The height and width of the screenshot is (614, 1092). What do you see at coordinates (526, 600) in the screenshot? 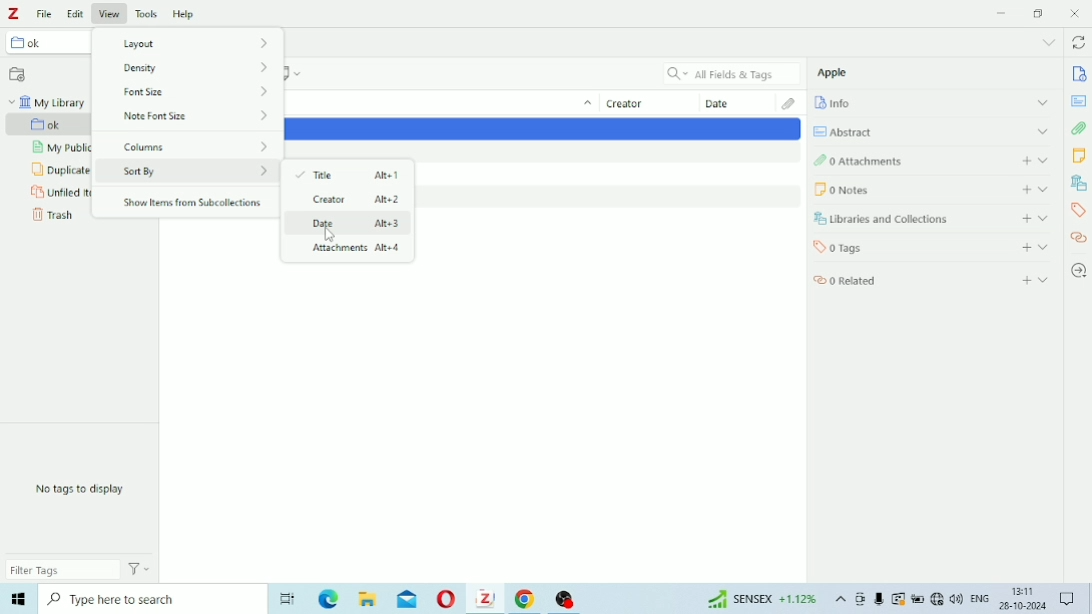
I see `Google Chrome` at bounding box center [526, 600].